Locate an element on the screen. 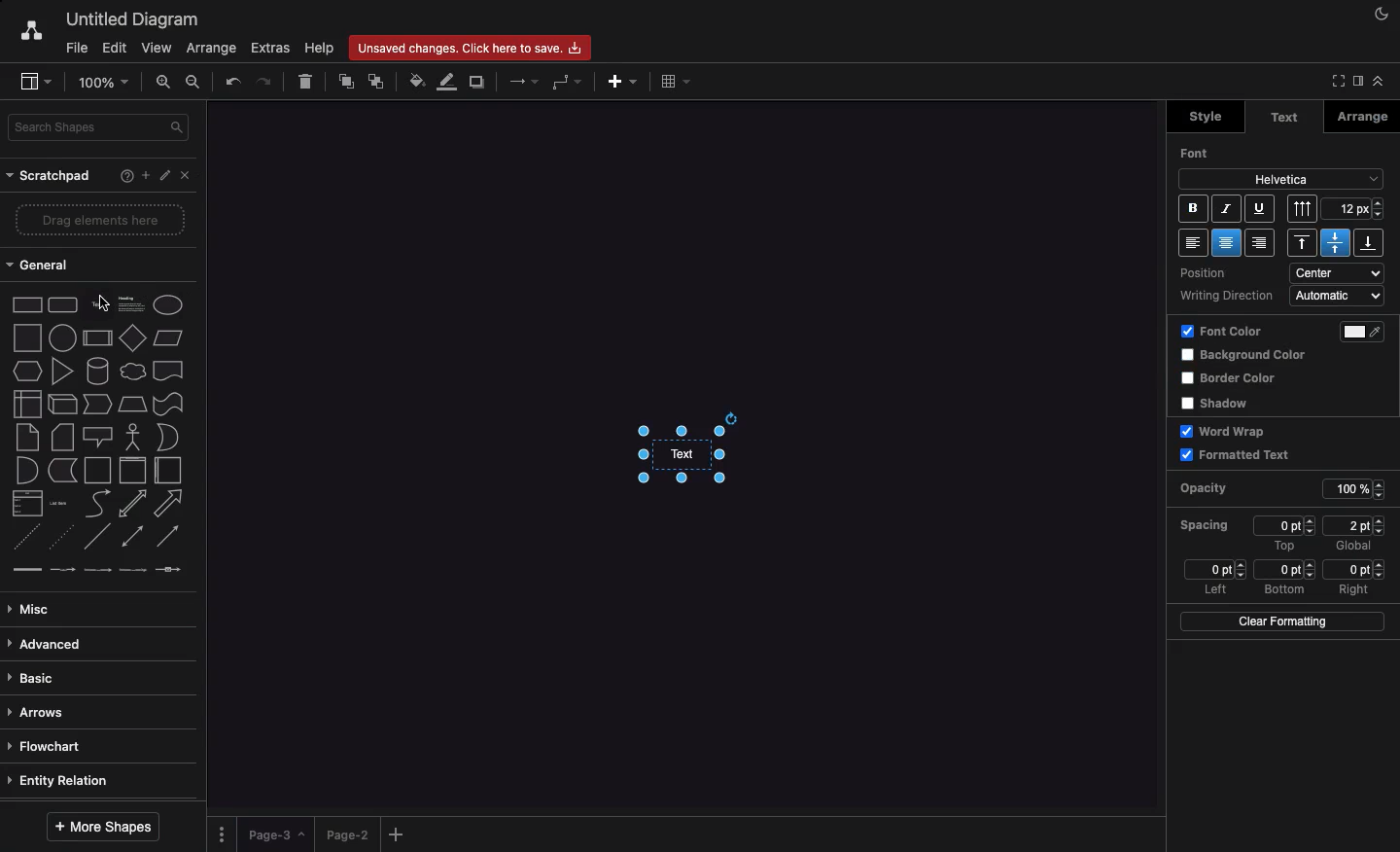  Table is located at coordinates (677, 81).